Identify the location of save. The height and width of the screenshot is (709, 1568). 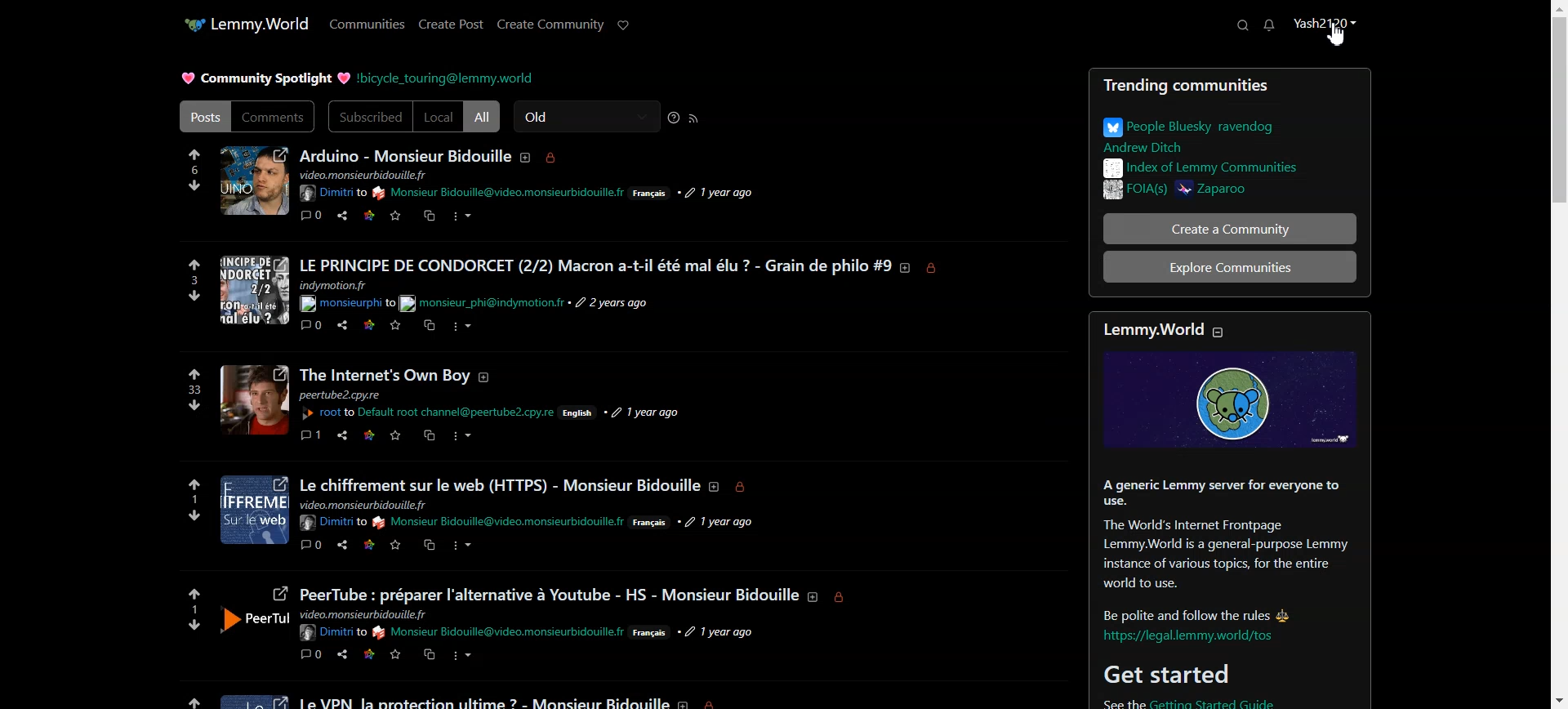
(397, 654).